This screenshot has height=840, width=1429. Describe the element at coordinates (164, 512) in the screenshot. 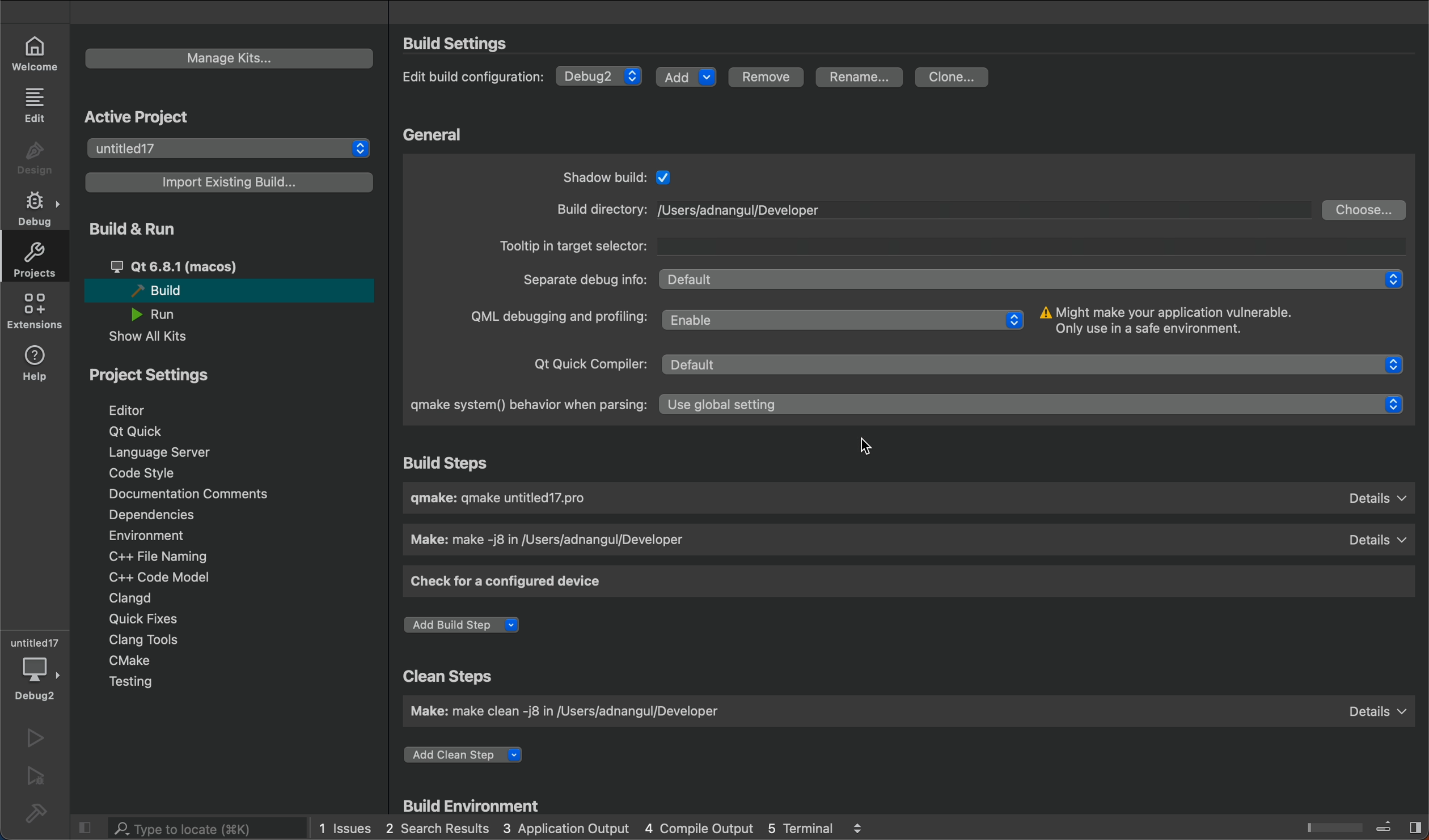

I see `dependencies` at that location.